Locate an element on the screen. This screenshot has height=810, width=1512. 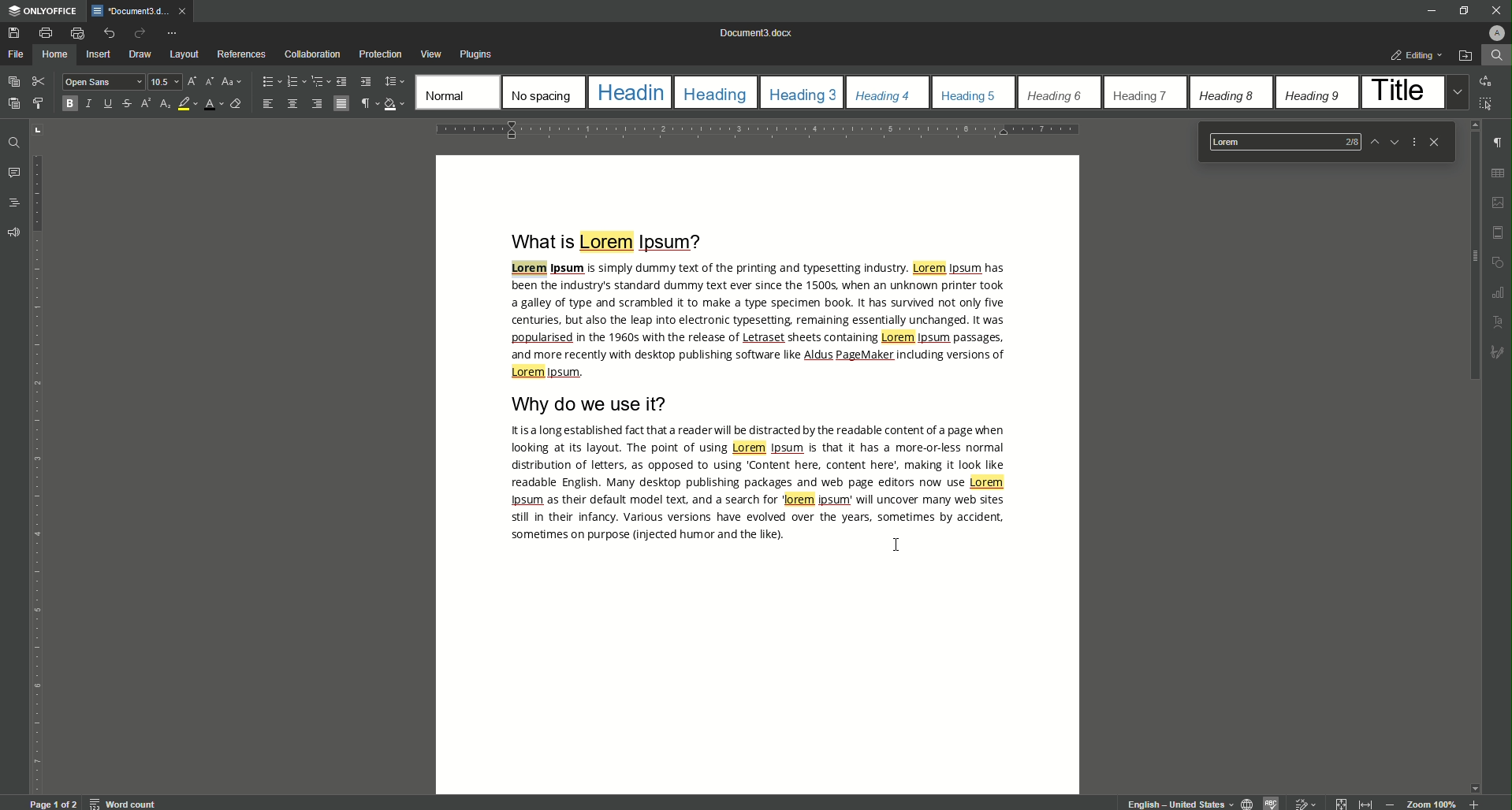
Increase Indent is located at coordinates (368, 81).